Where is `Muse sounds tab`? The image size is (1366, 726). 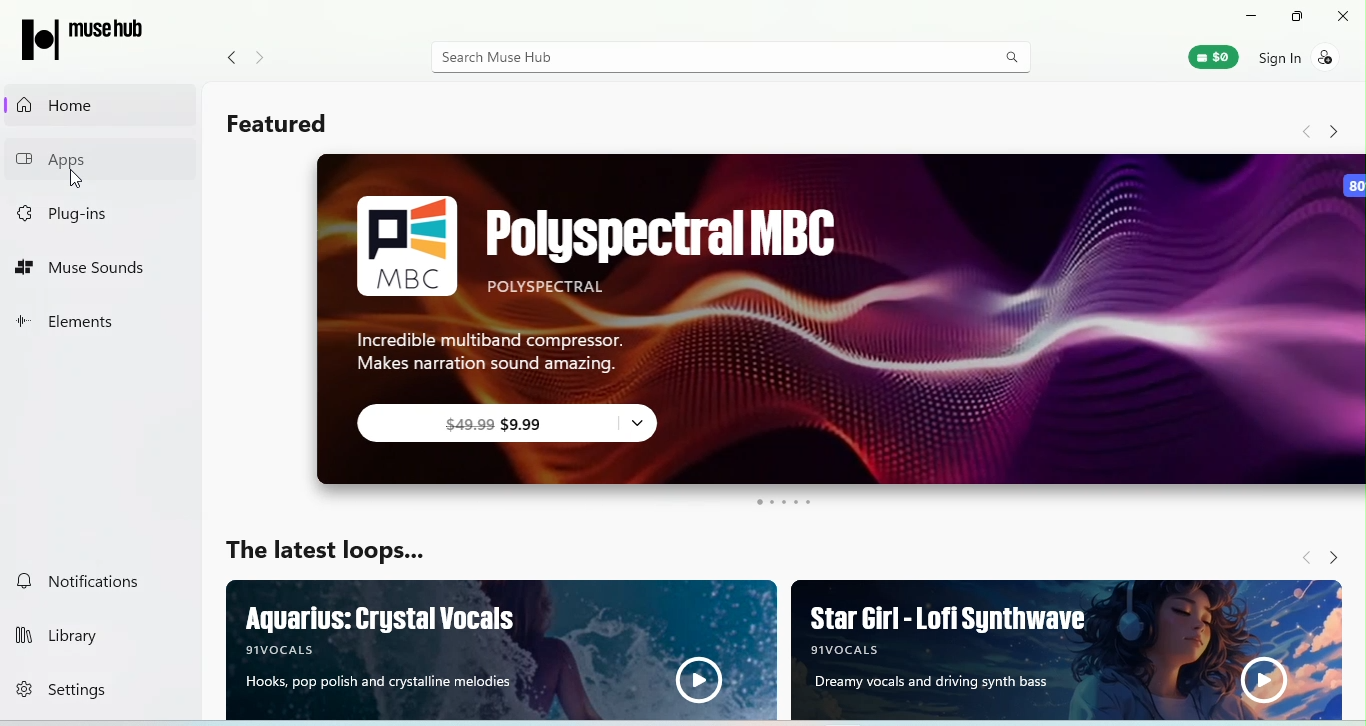 Muse sounds tab is located at coordinates (85, 268).